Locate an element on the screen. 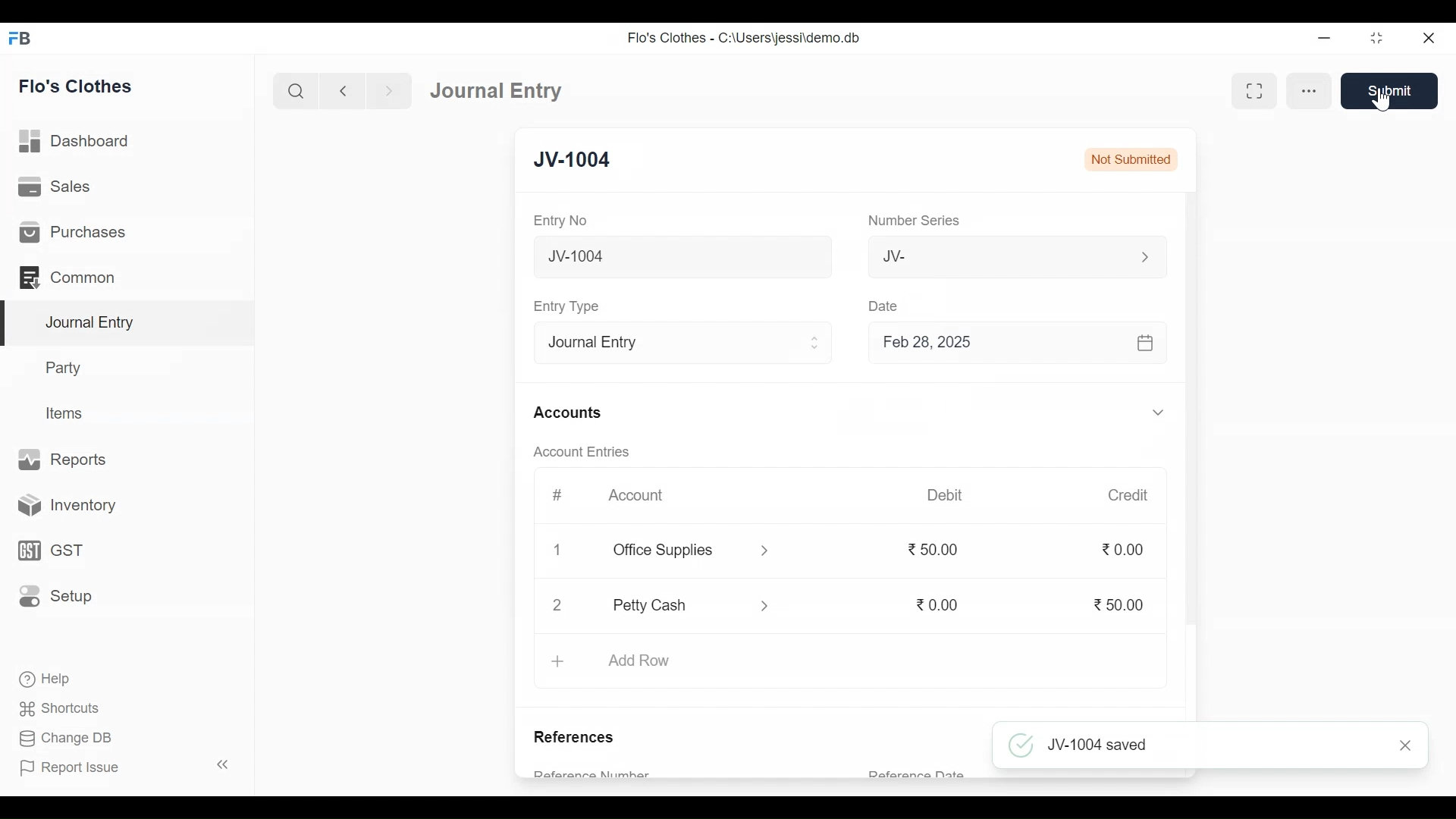 This screenshot has height=819, width=1456. Vertical Scroll bar is located at coordinates (1193, 428).